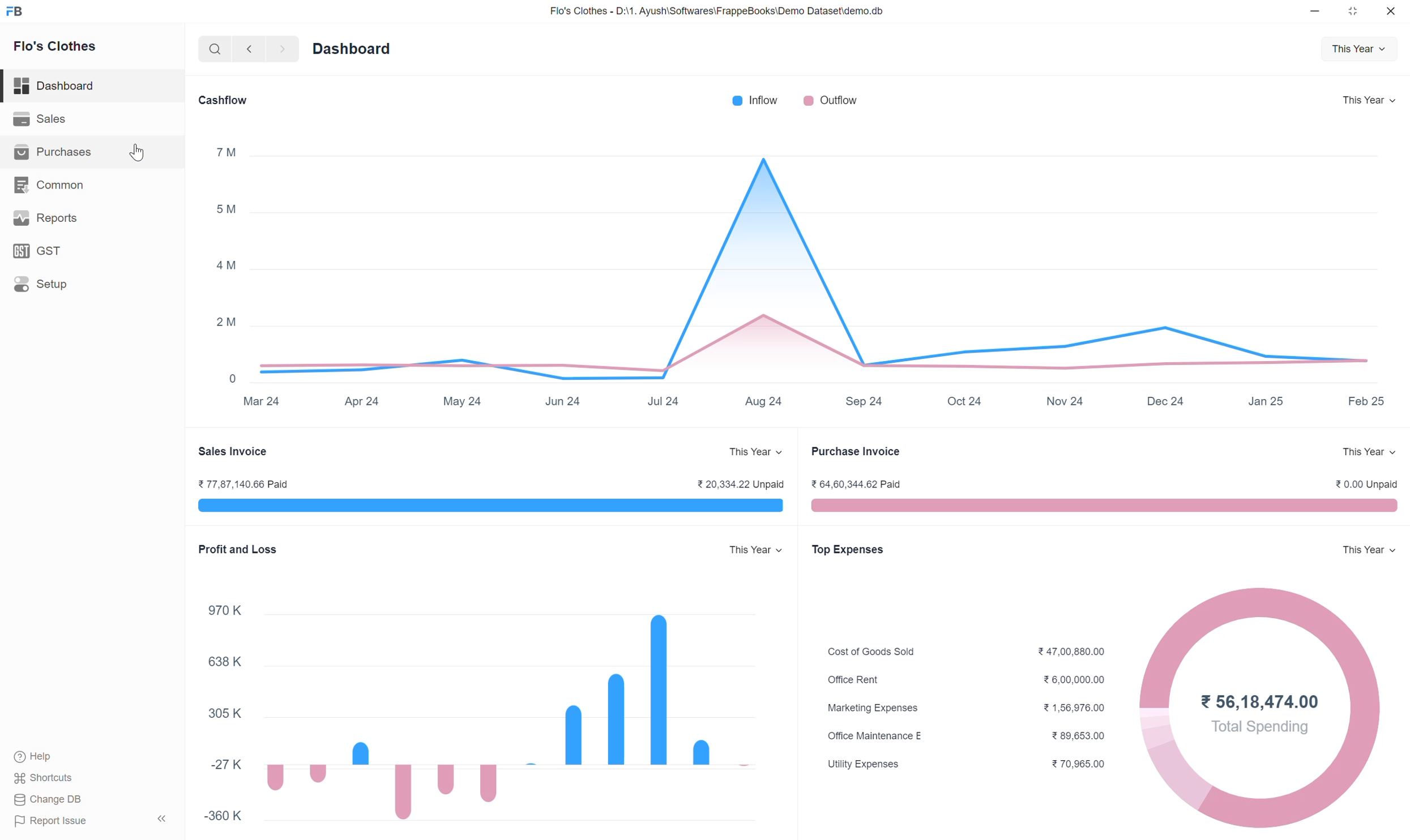  What do you see at coordinates (1104, 505) in the screenshot?
I see `Purchase Invoice Paid and Unpaid range` at bounding box center [1104, 505].